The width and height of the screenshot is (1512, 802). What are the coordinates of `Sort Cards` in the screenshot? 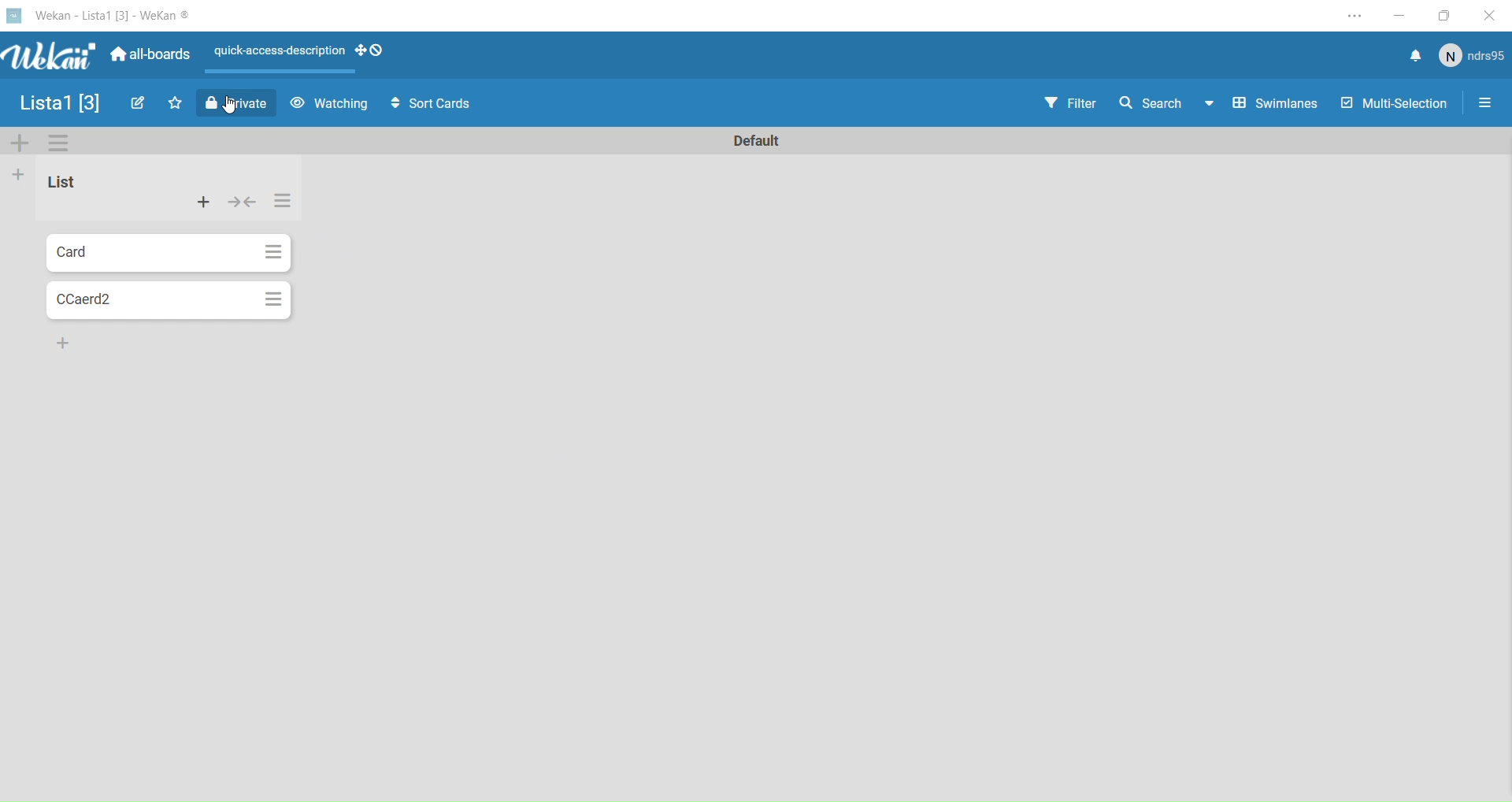 It's located at (428, 105).